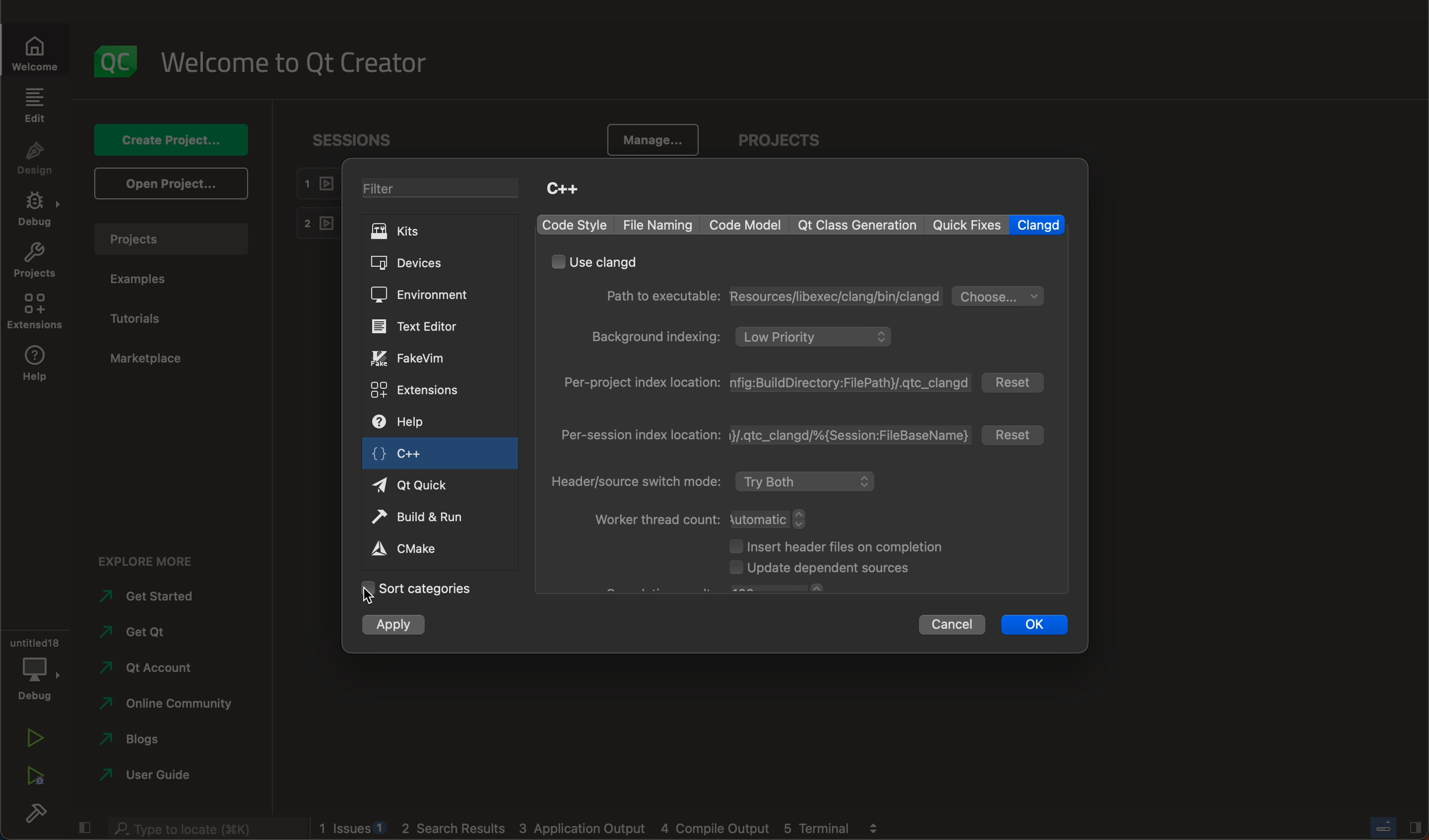 Image resolution: width=1429 pixels, height=840 pixels. I want to click on cursor, so click(366, 593).